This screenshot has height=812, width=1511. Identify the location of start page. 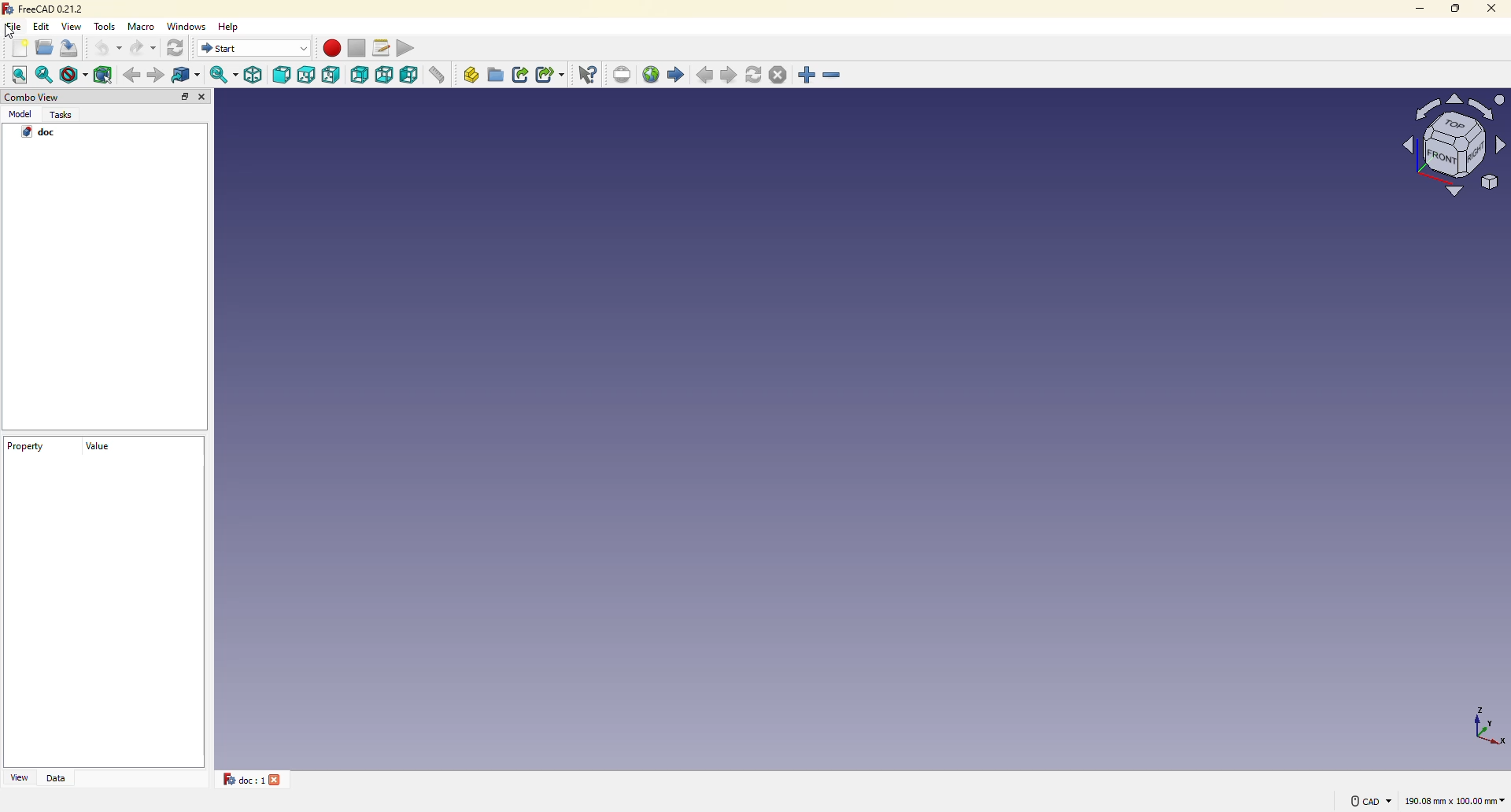
(676, 75).